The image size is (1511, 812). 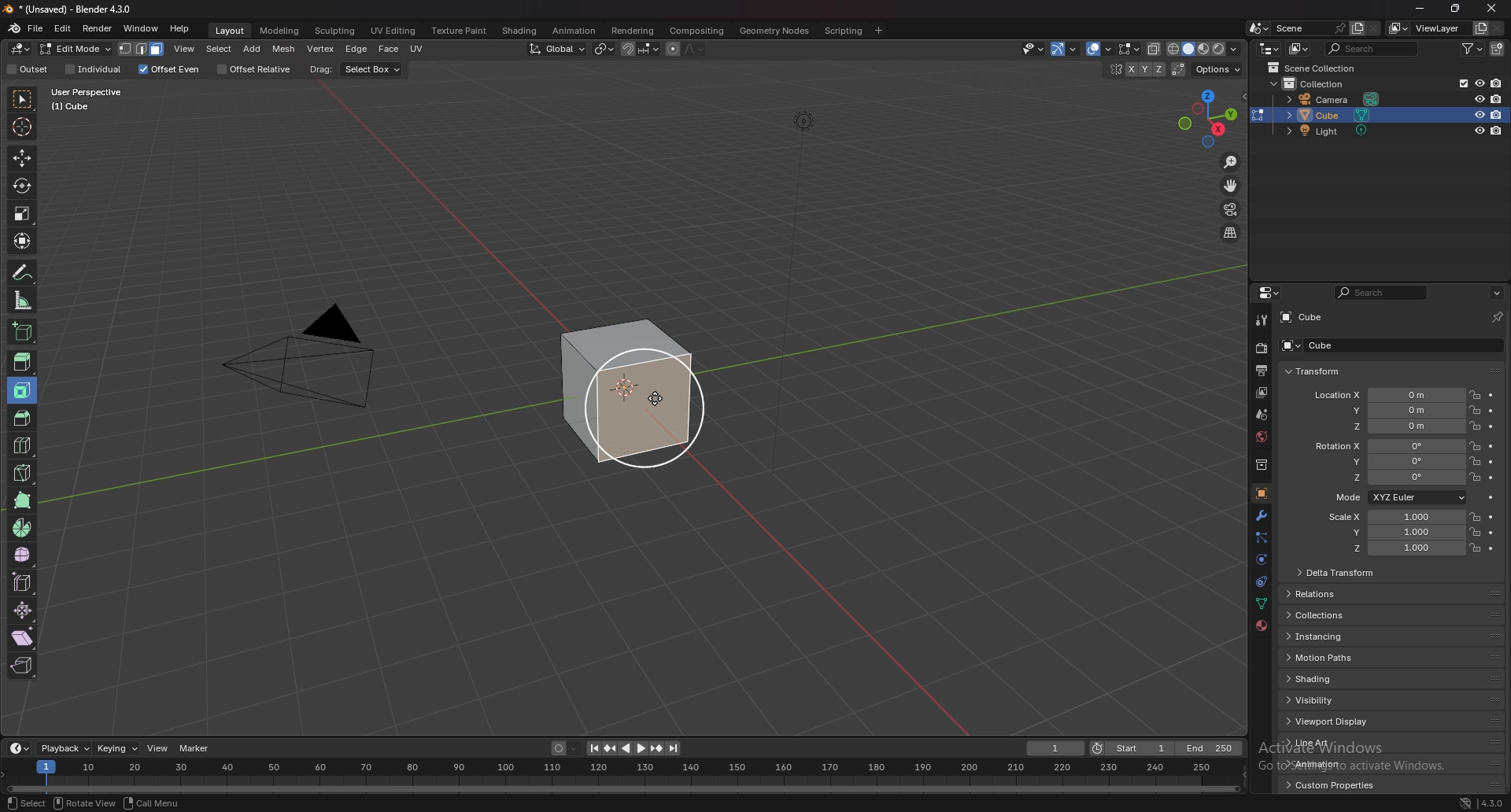 What do you see at coordinates (1331, 763) in the screenshot?
I see `animation` at bounding box center [1331, 763].